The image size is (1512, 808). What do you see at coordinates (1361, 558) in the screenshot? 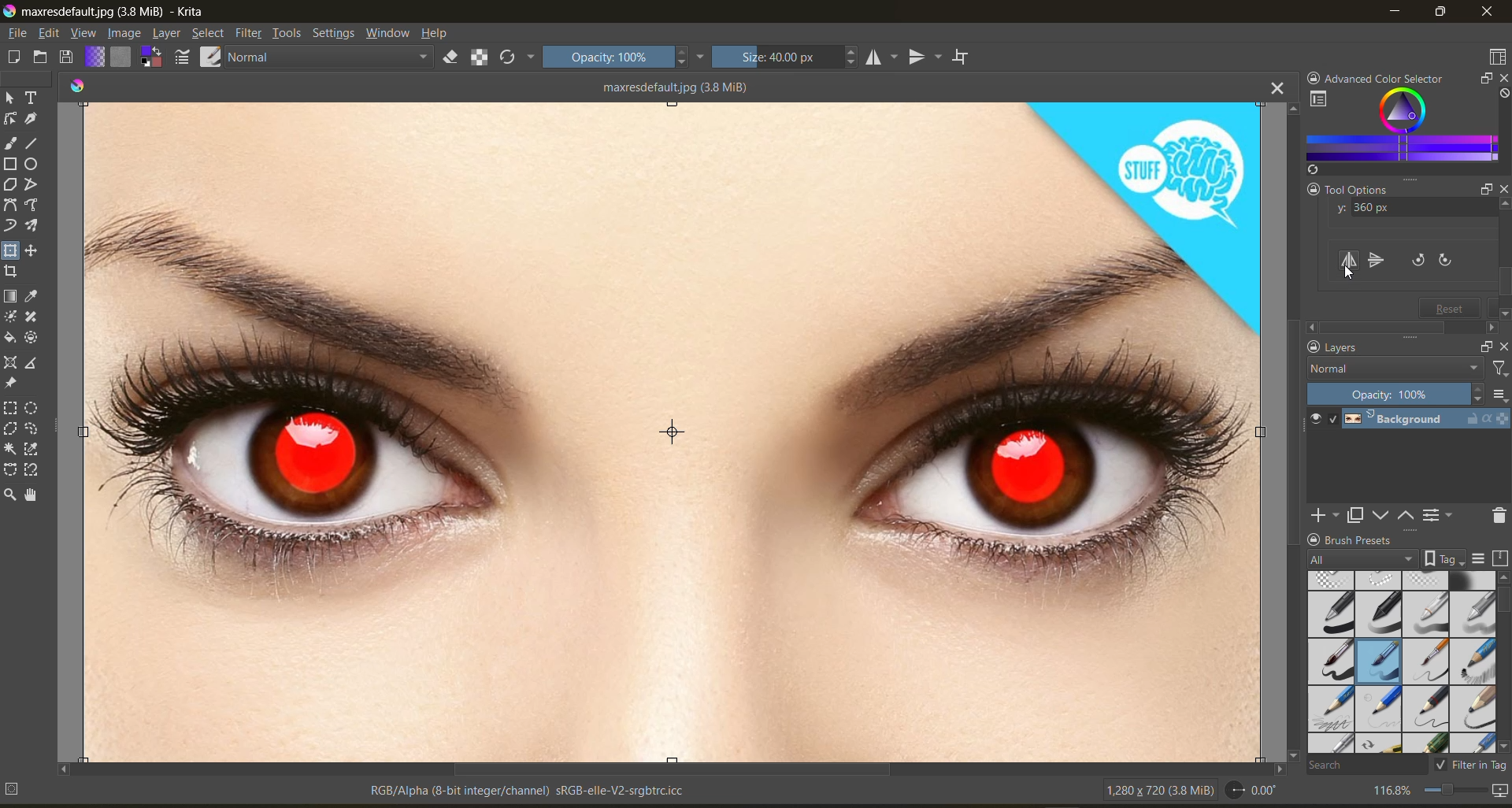
I see `tag` at bounding box center [1361, 558].